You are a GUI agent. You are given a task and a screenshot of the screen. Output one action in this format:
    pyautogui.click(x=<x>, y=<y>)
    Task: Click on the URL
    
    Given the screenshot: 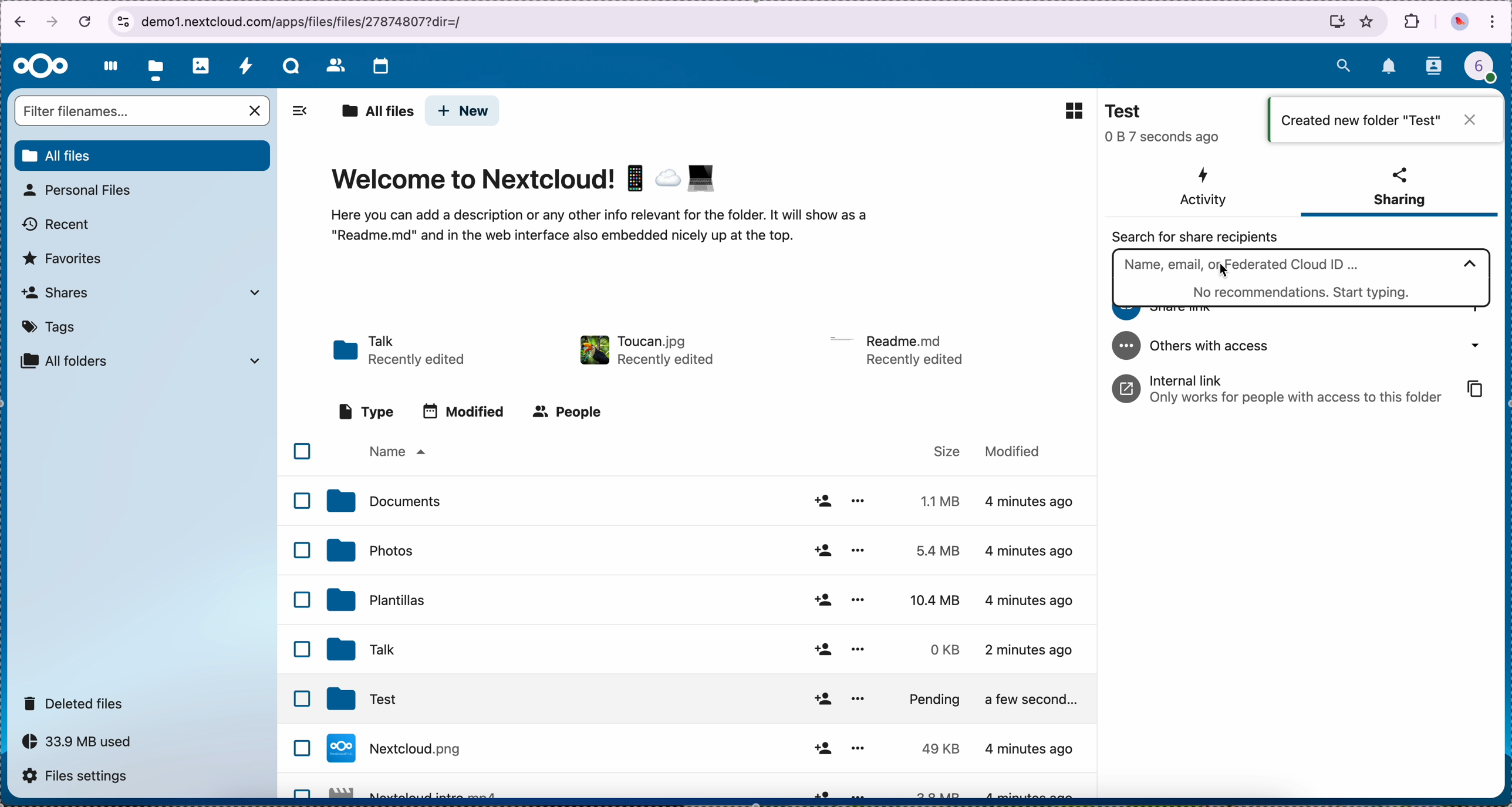 What is the action you would take?
    pyautogui.click(x=310, y=20)
    